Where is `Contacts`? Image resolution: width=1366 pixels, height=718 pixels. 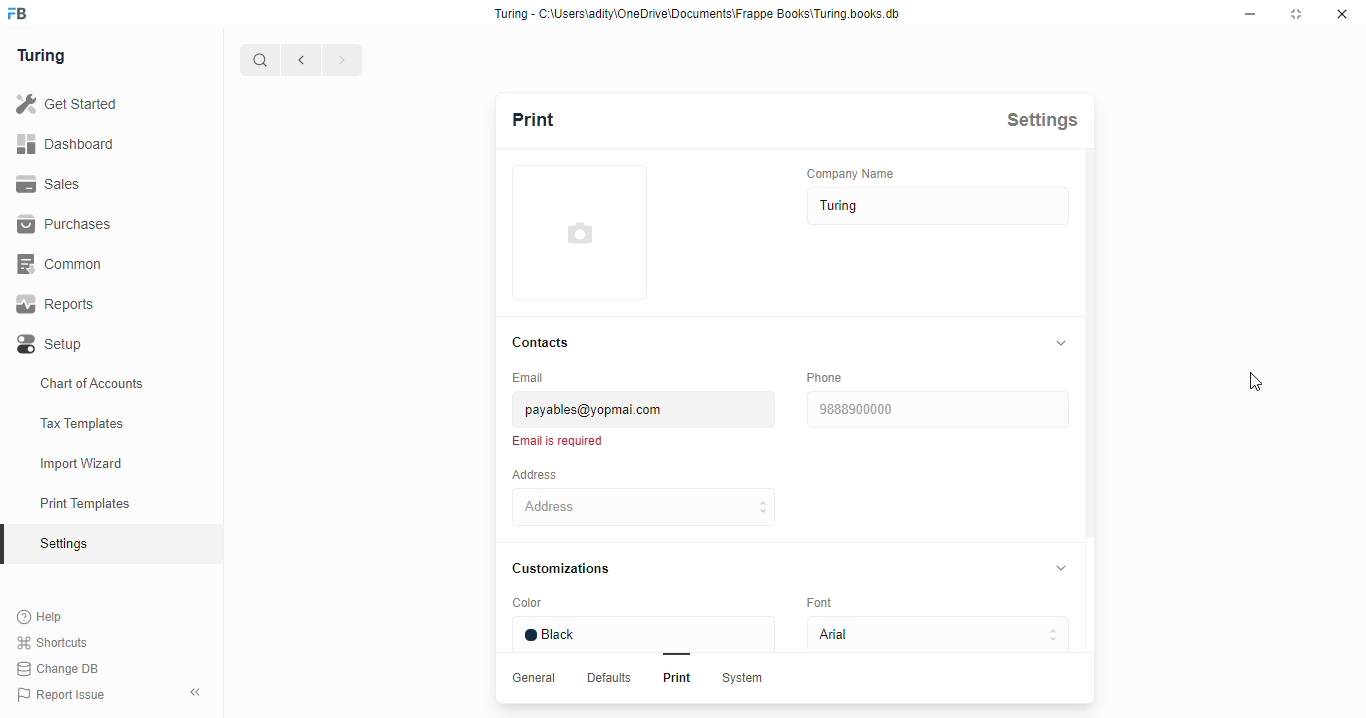
Contacts is located at coordinates (547, 341).